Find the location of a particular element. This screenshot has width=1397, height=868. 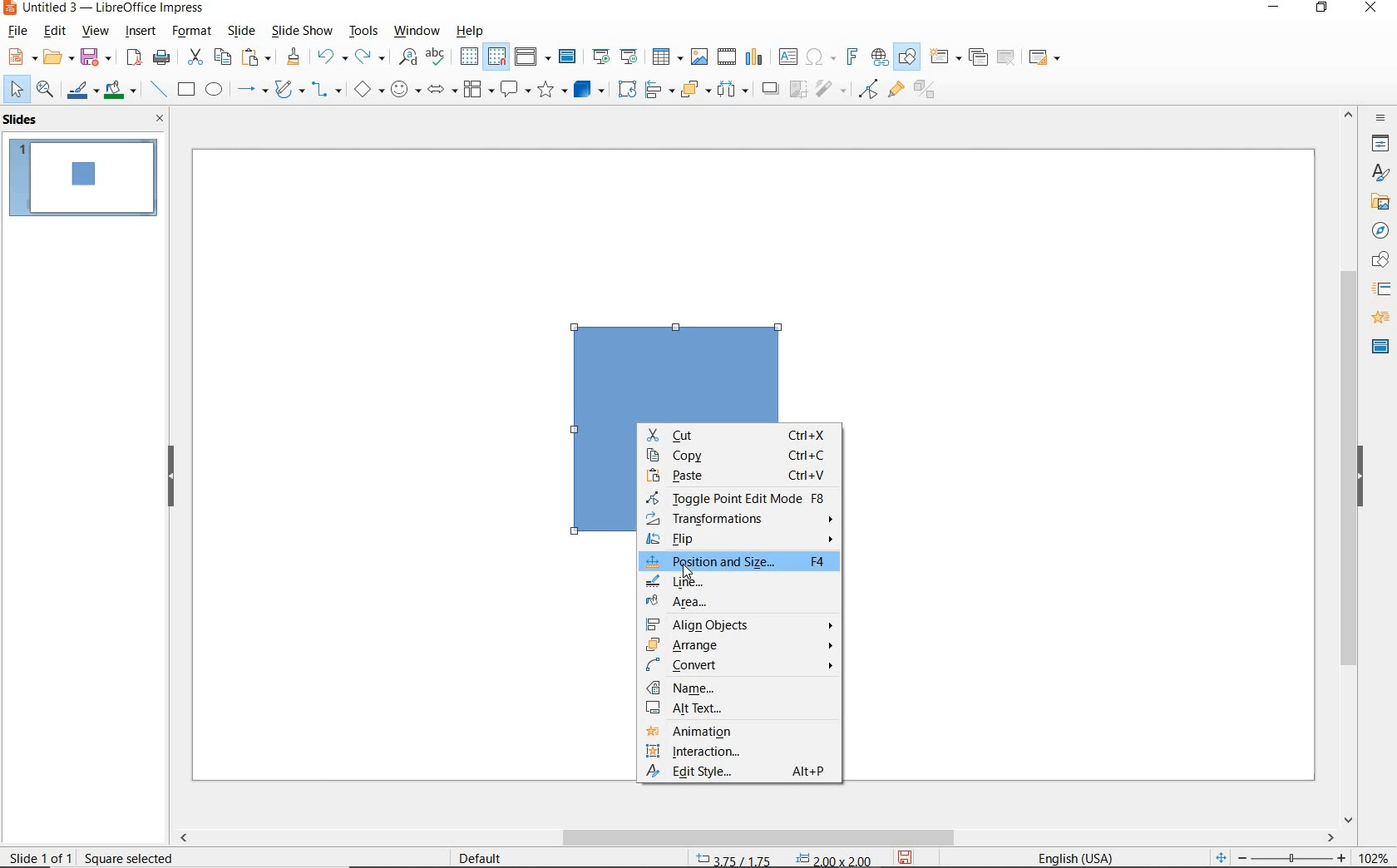

gallery is located at coordinates (1380, 201).